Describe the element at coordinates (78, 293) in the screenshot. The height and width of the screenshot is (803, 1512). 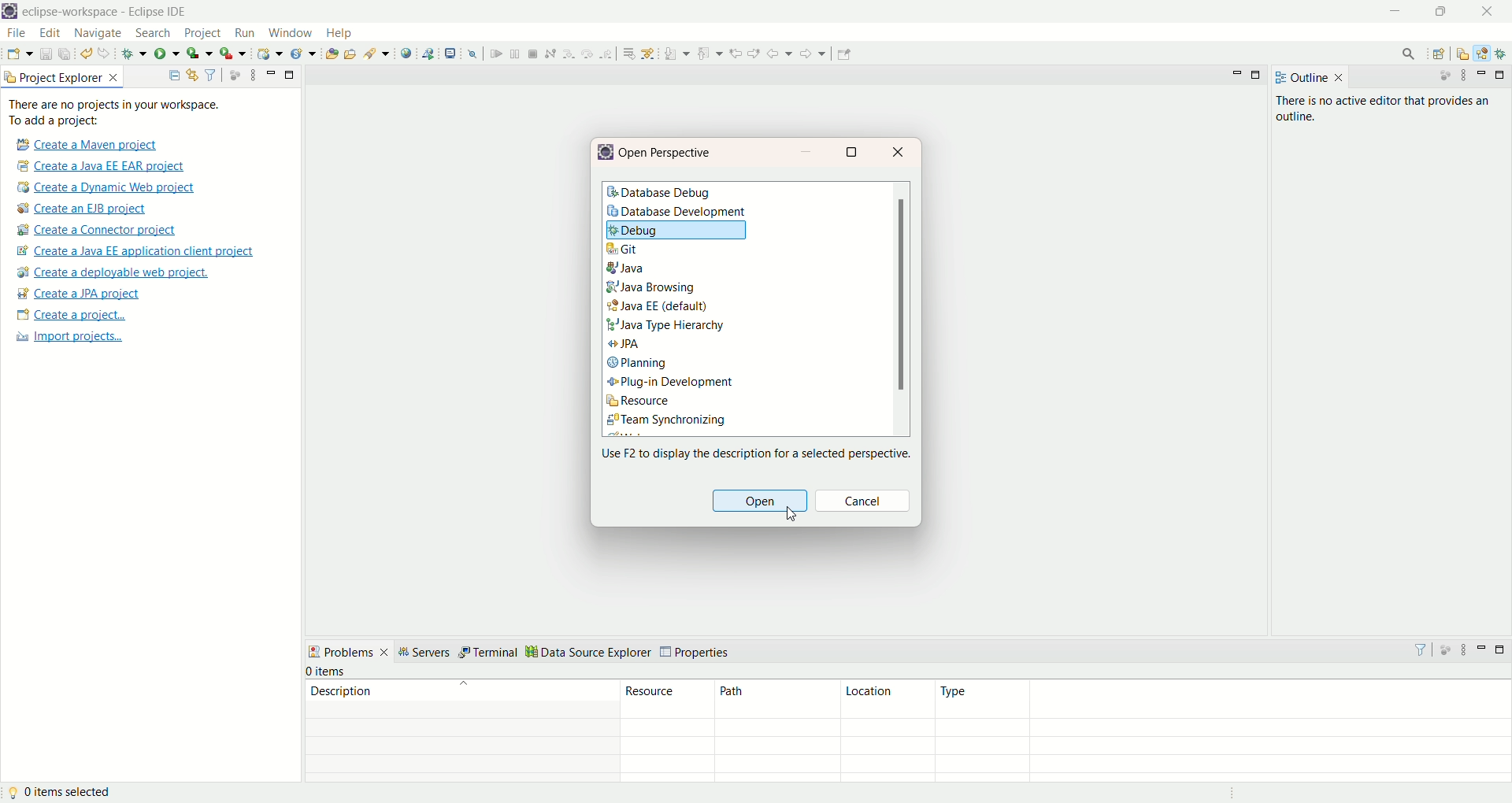
I see `create a JPA project` at that location.